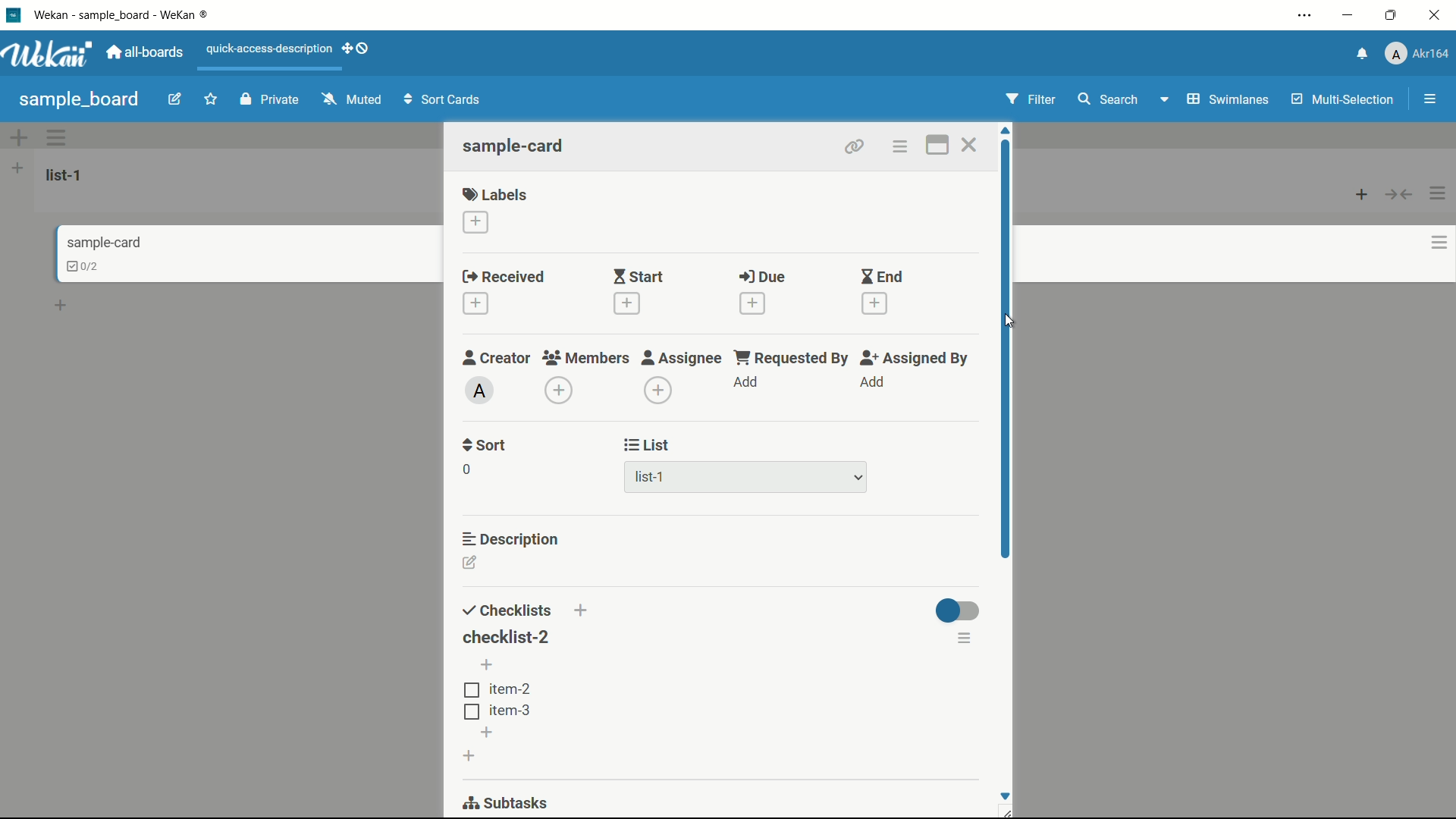 Image resolution: width=1456 pixels, height=819 pixels. I want to click on sample board, so click(79, 99).